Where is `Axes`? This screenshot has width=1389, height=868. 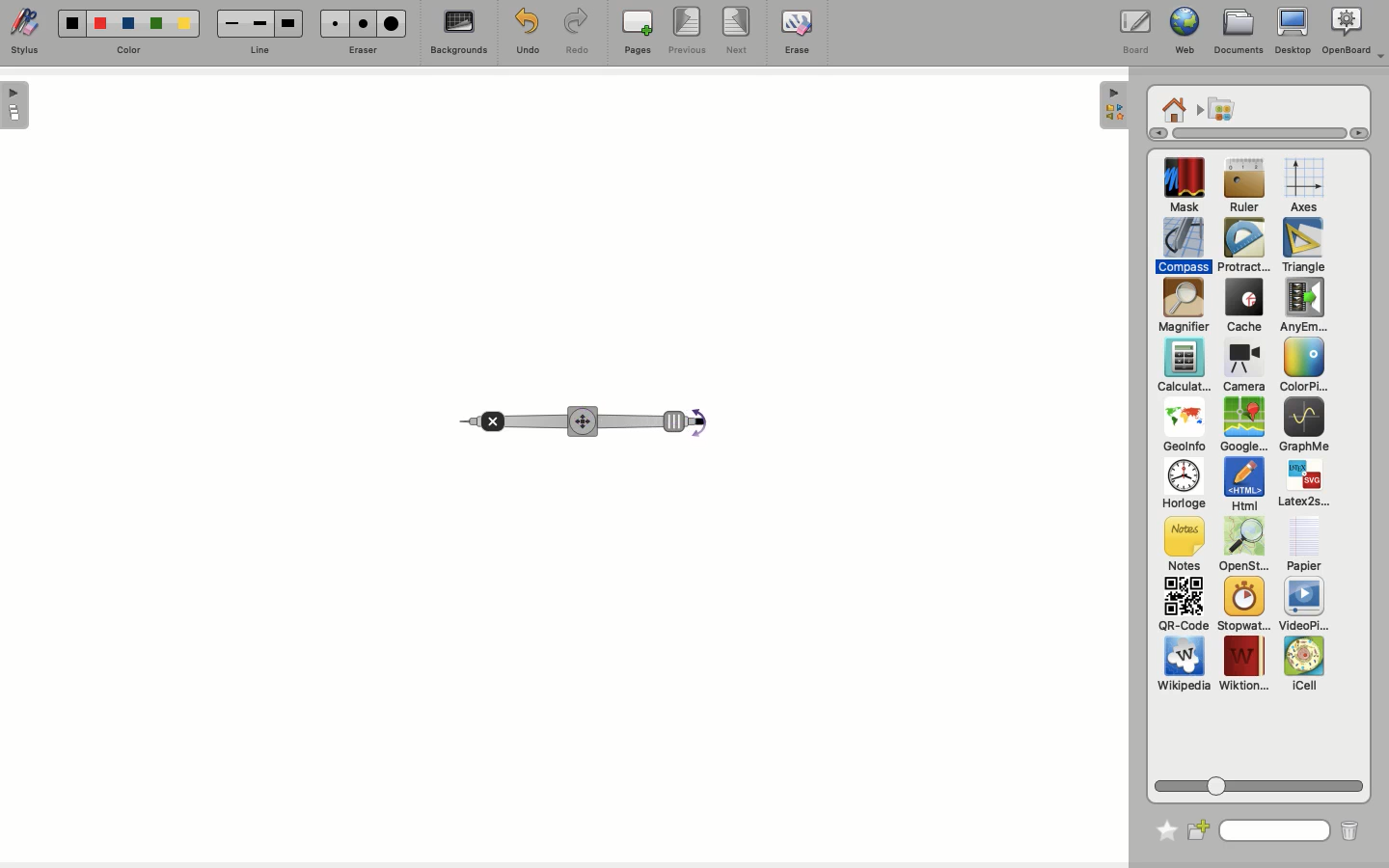 Axes is located at coordinates (1304, 186).